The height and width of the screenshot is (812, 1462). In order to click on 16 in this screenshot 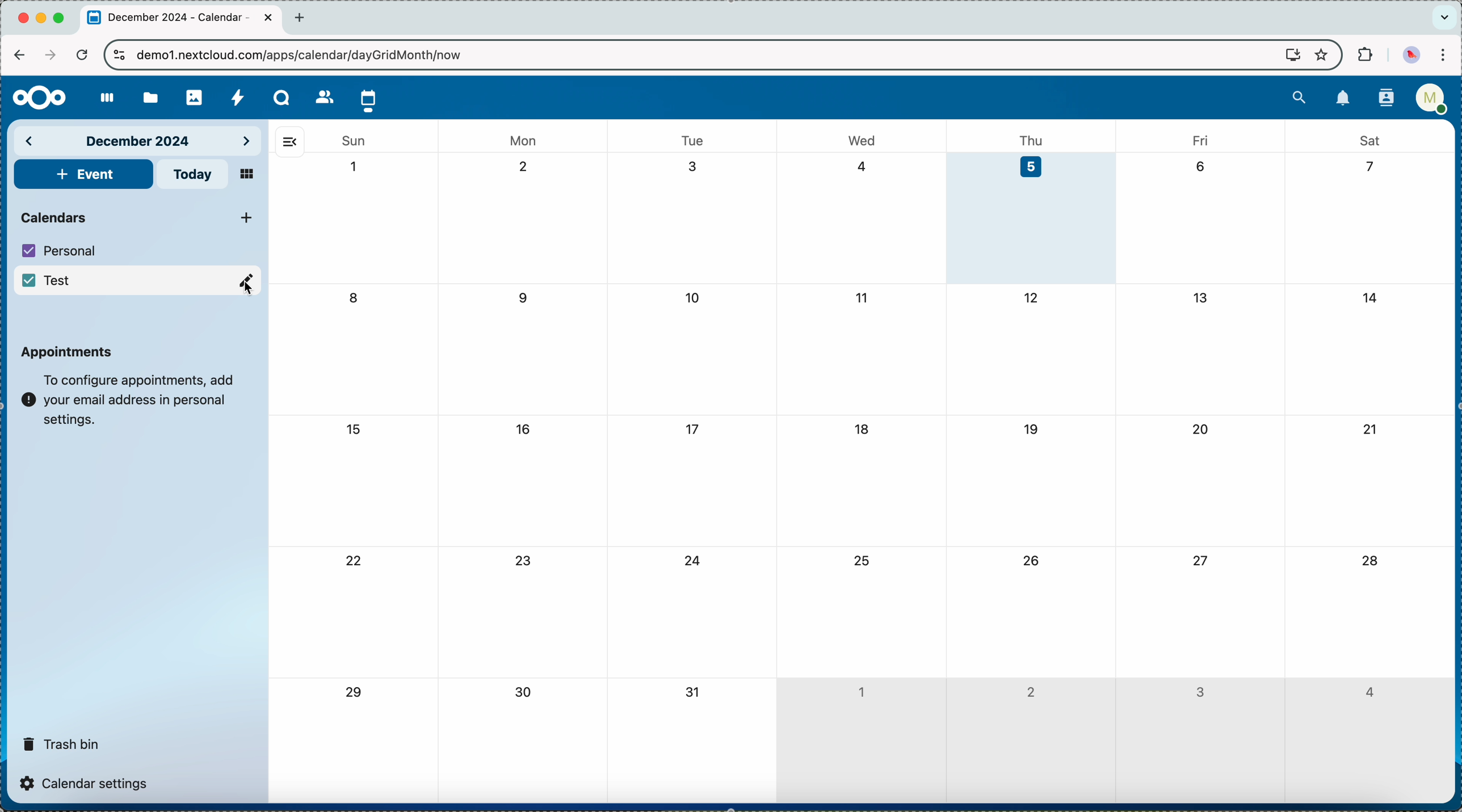, I will do `click(523, 428)`.